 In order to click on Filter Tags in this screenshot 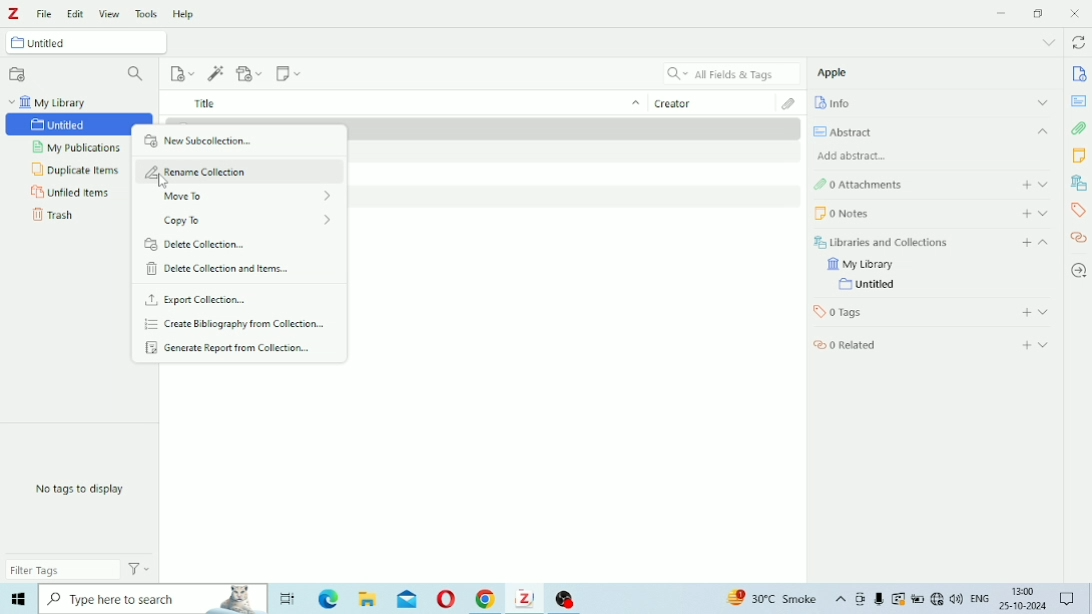, I will do `click(63, 571)`.